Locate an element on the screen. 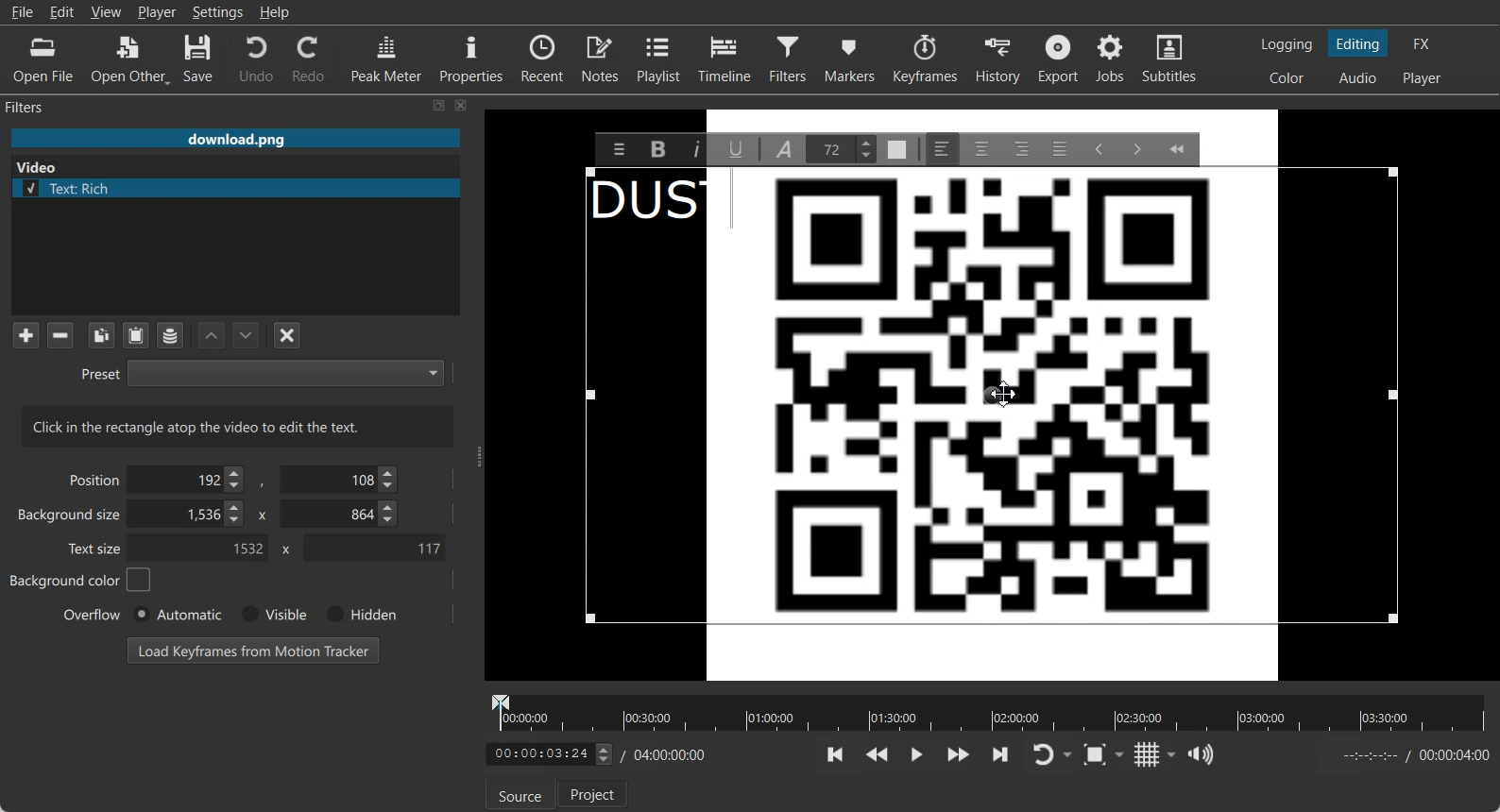 The height and width of the screenshot is (812, 1500). Skip to the next point is located at coordinates (999, 753).